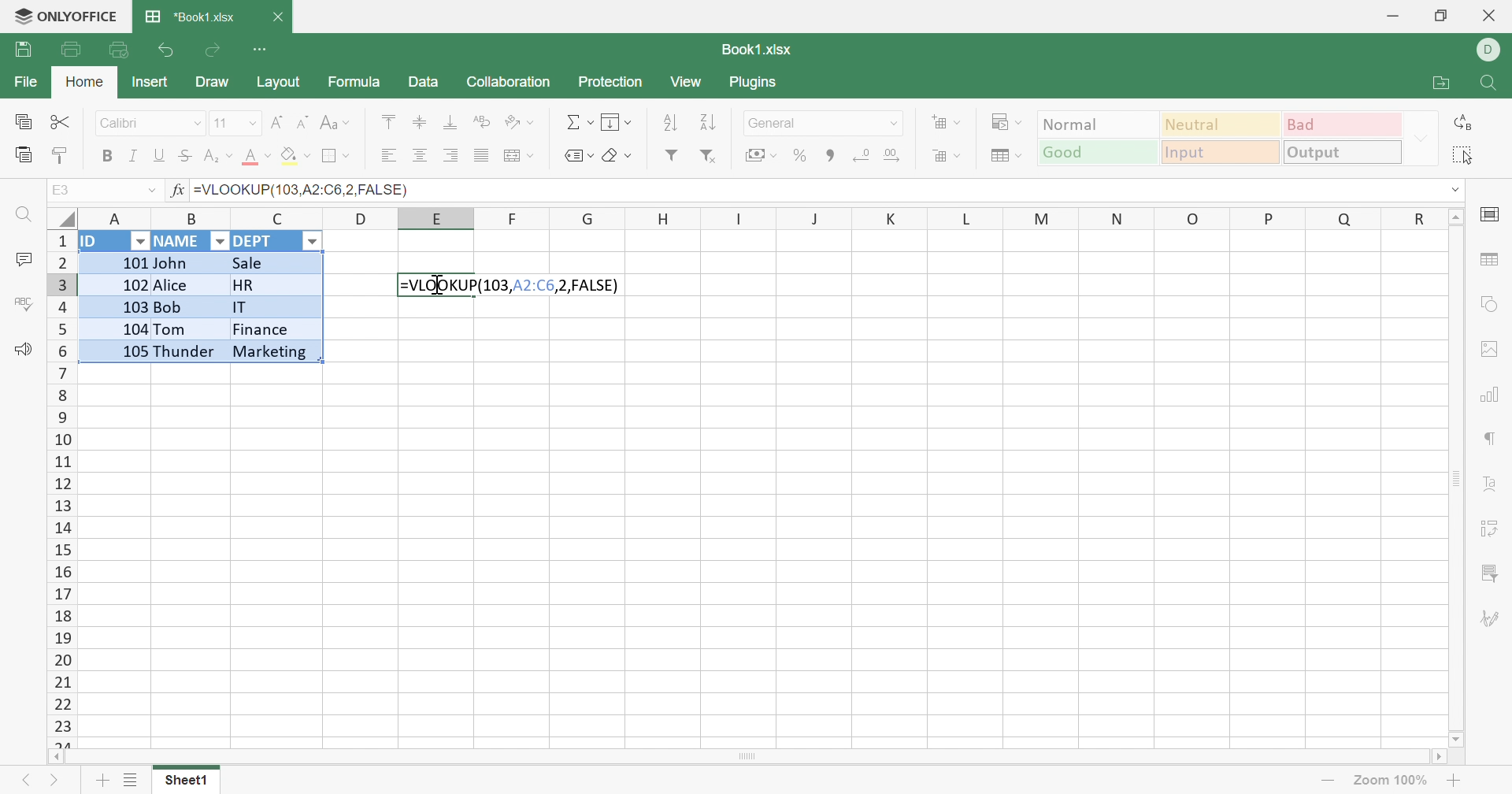 The height and width of the screenshot is (794, 1512). Describe the element at coordinates (801, 155) in the screenshot. I see `Percent` at that location.